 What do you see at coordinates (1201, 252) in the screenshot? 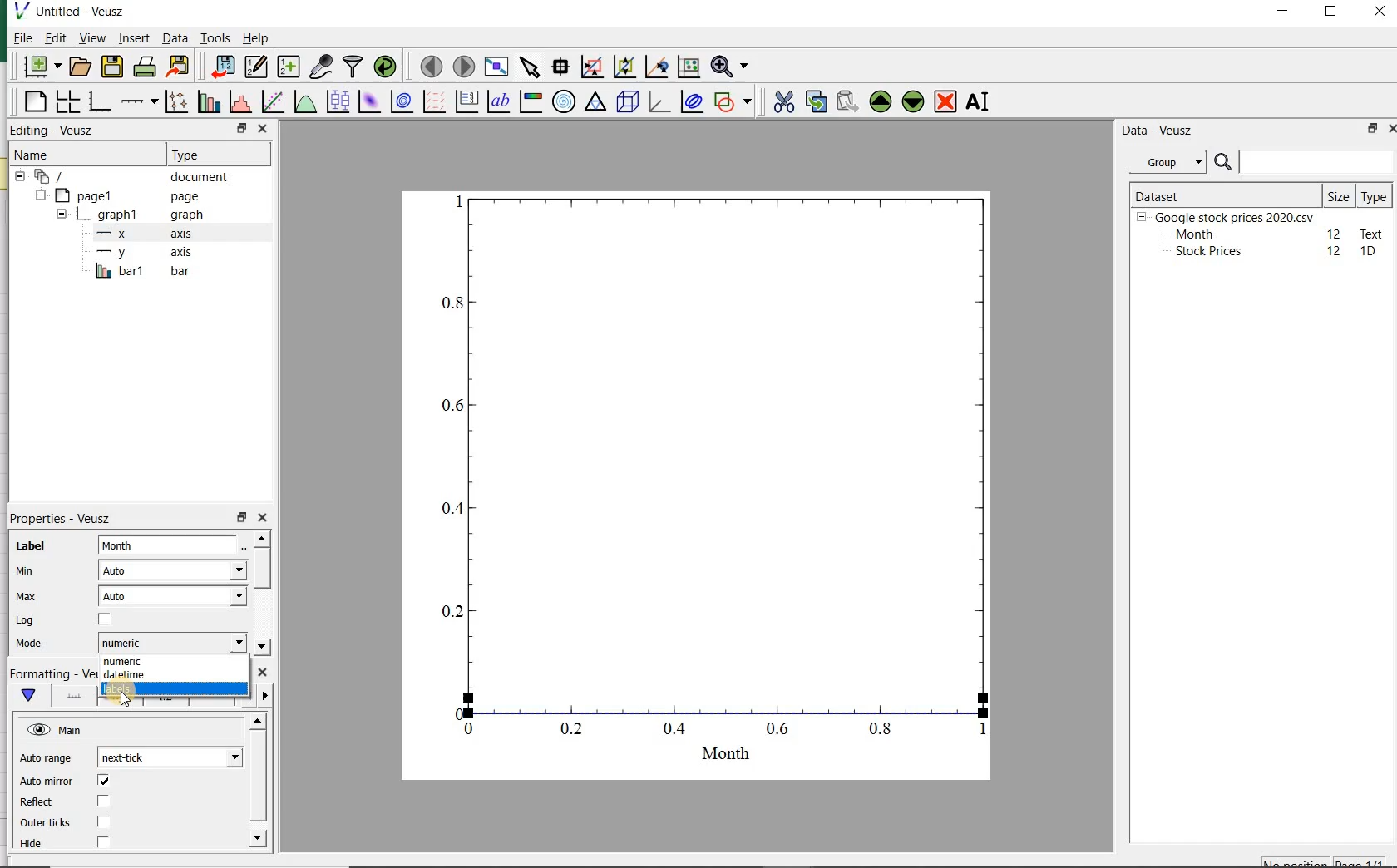
I see `Stock prices` at bounding box center [1201, 252].